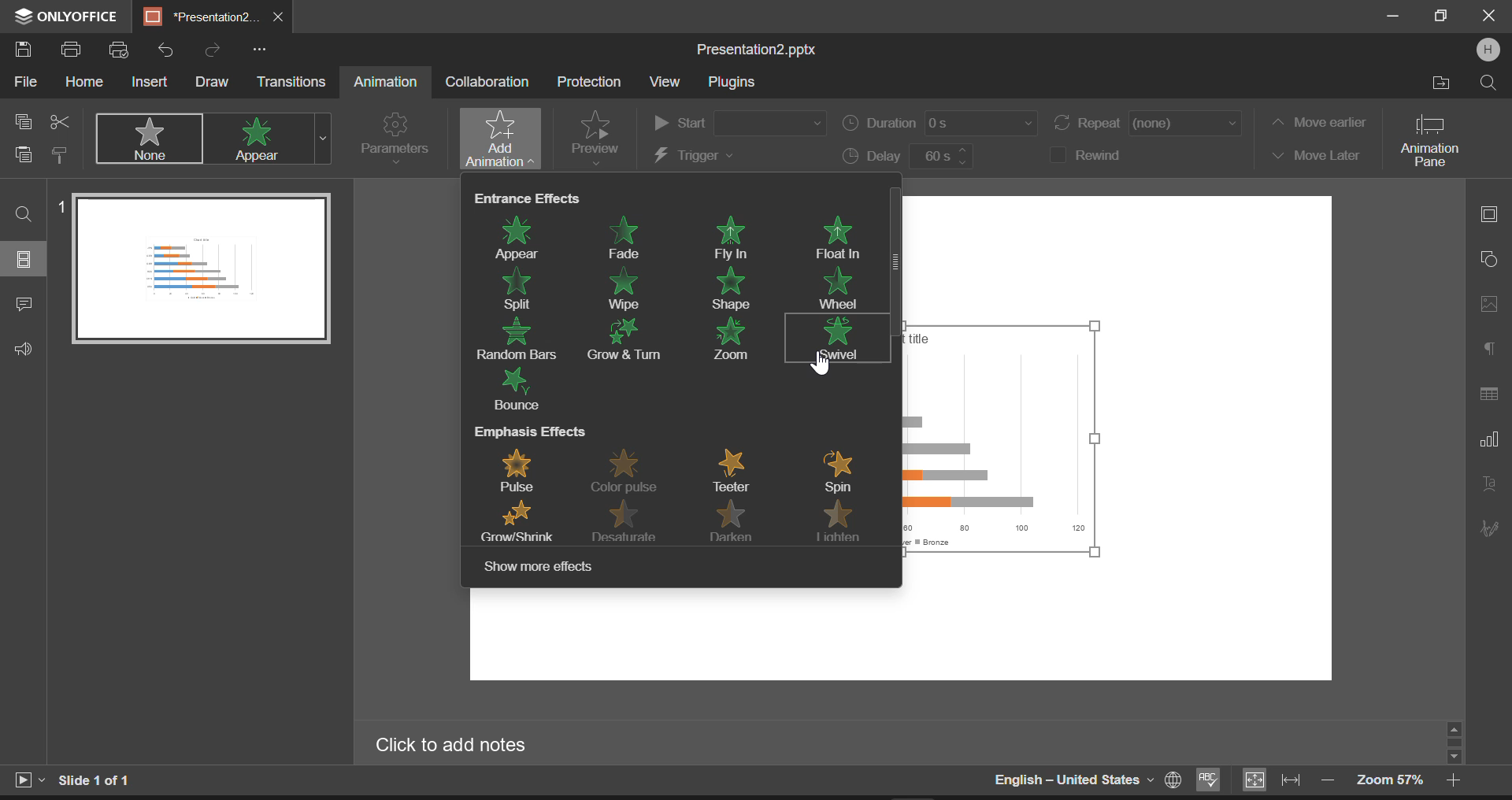 The image size is (1512, 800). What do you see at coordinates (592, 81) in the screenshot?
I see `Protection` at bounding box center [592, 81].